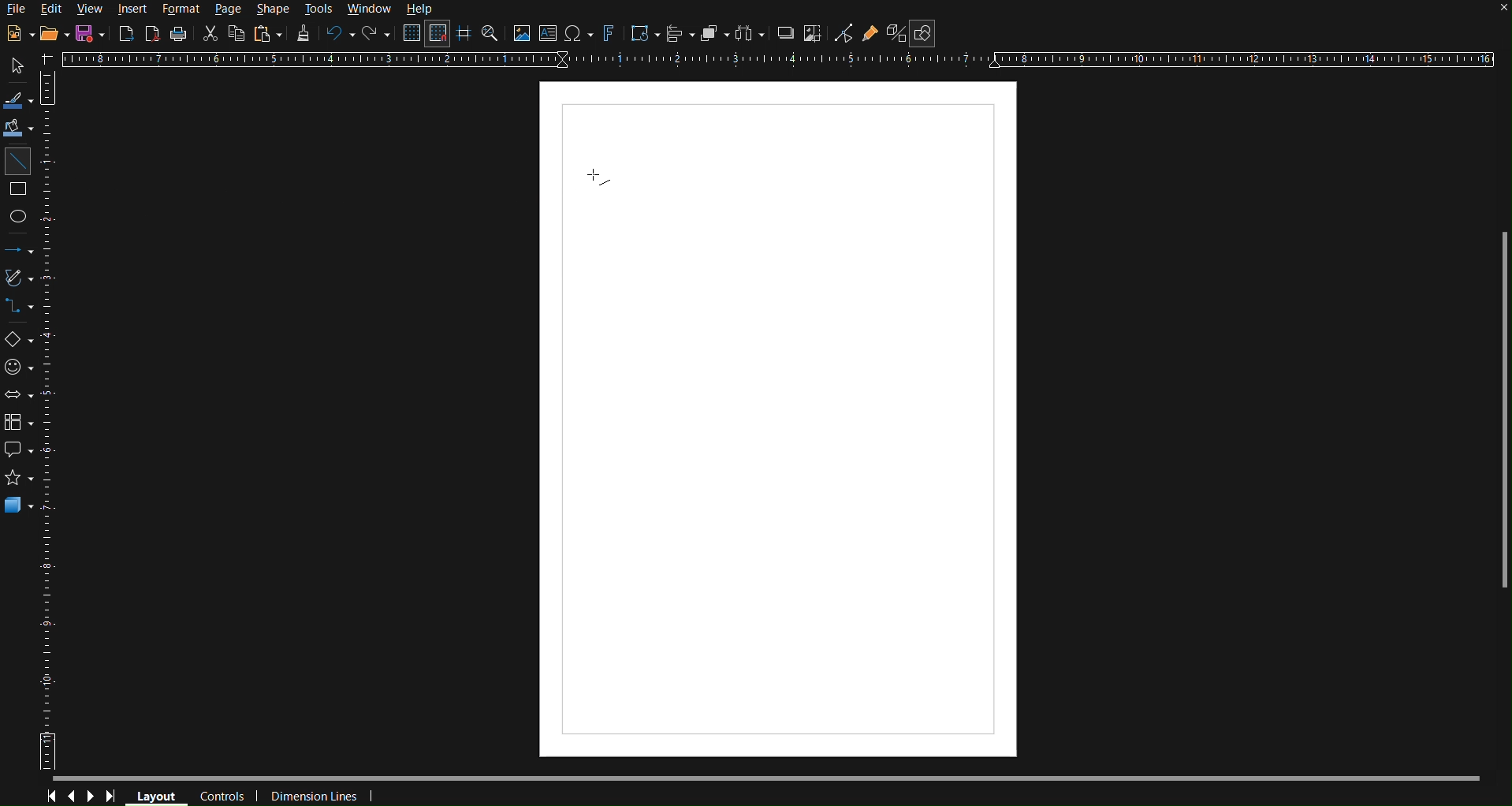  I want to click on Shadow, so click(785, 32).